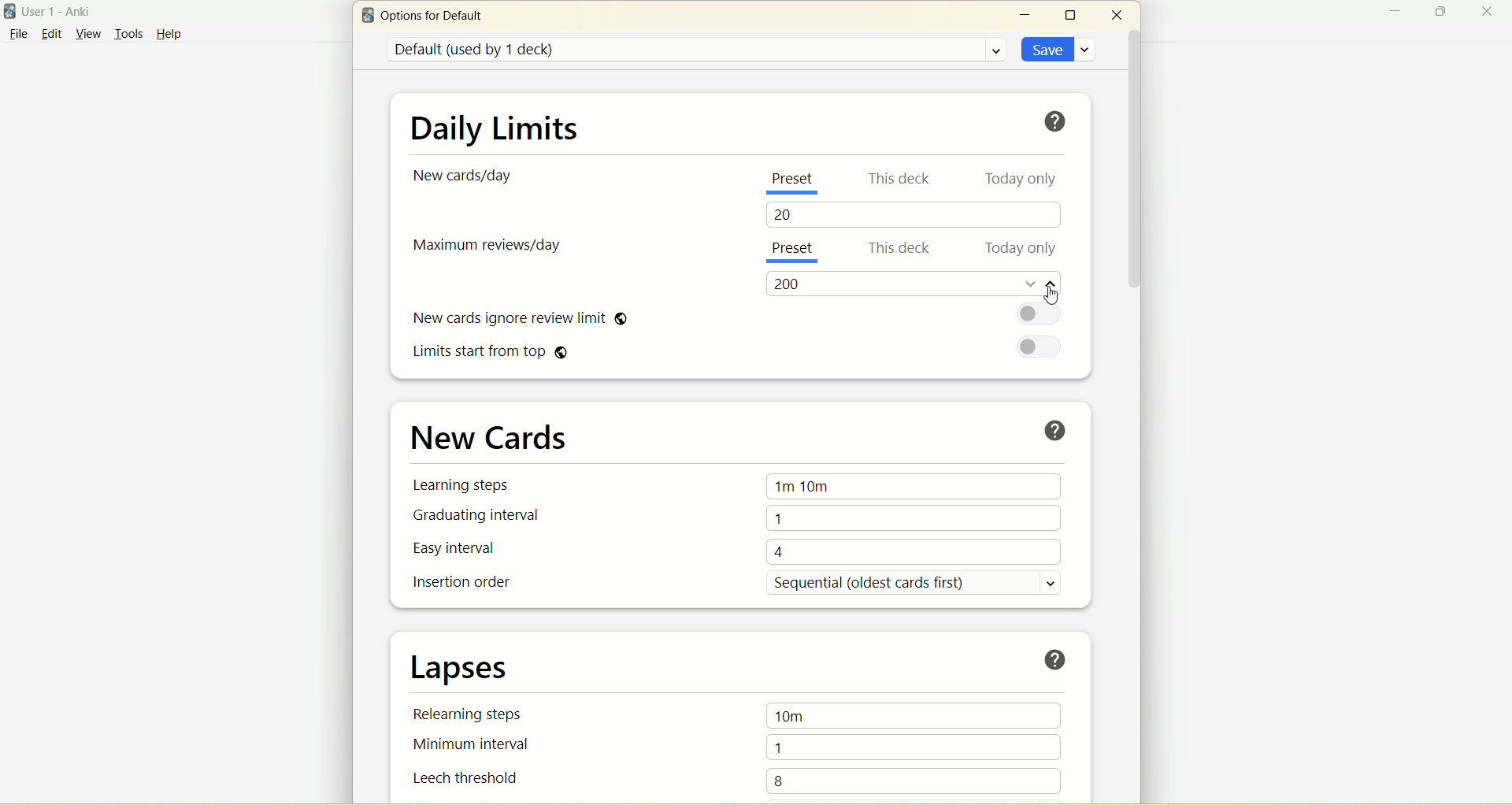  What do you see at coordinates (492, 440) in the screenshot?
I see `new cards` at bounding box center [492, 440].